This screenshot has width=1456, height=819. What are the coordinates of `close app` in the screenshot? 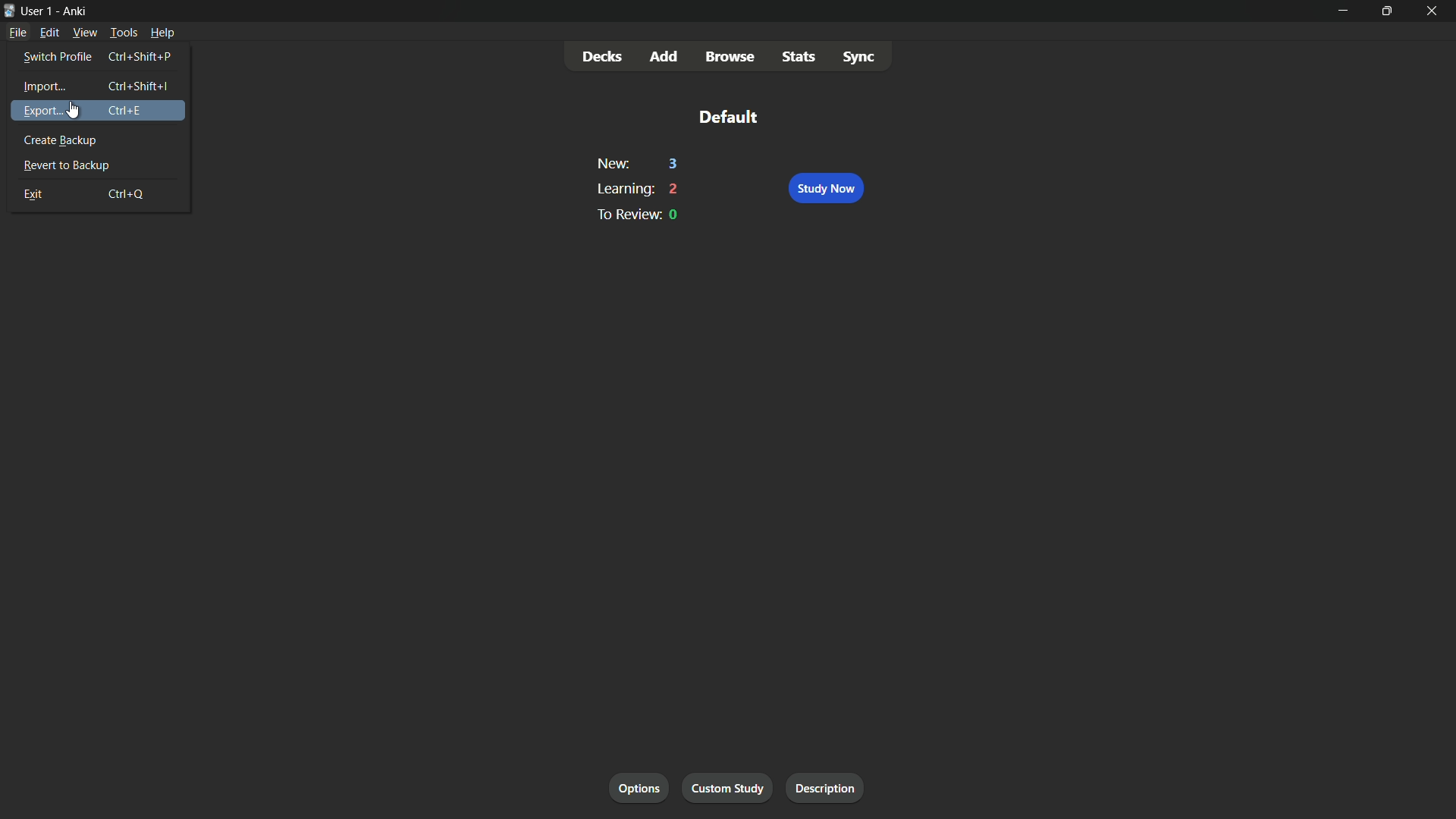 It's located at (1435, 11).